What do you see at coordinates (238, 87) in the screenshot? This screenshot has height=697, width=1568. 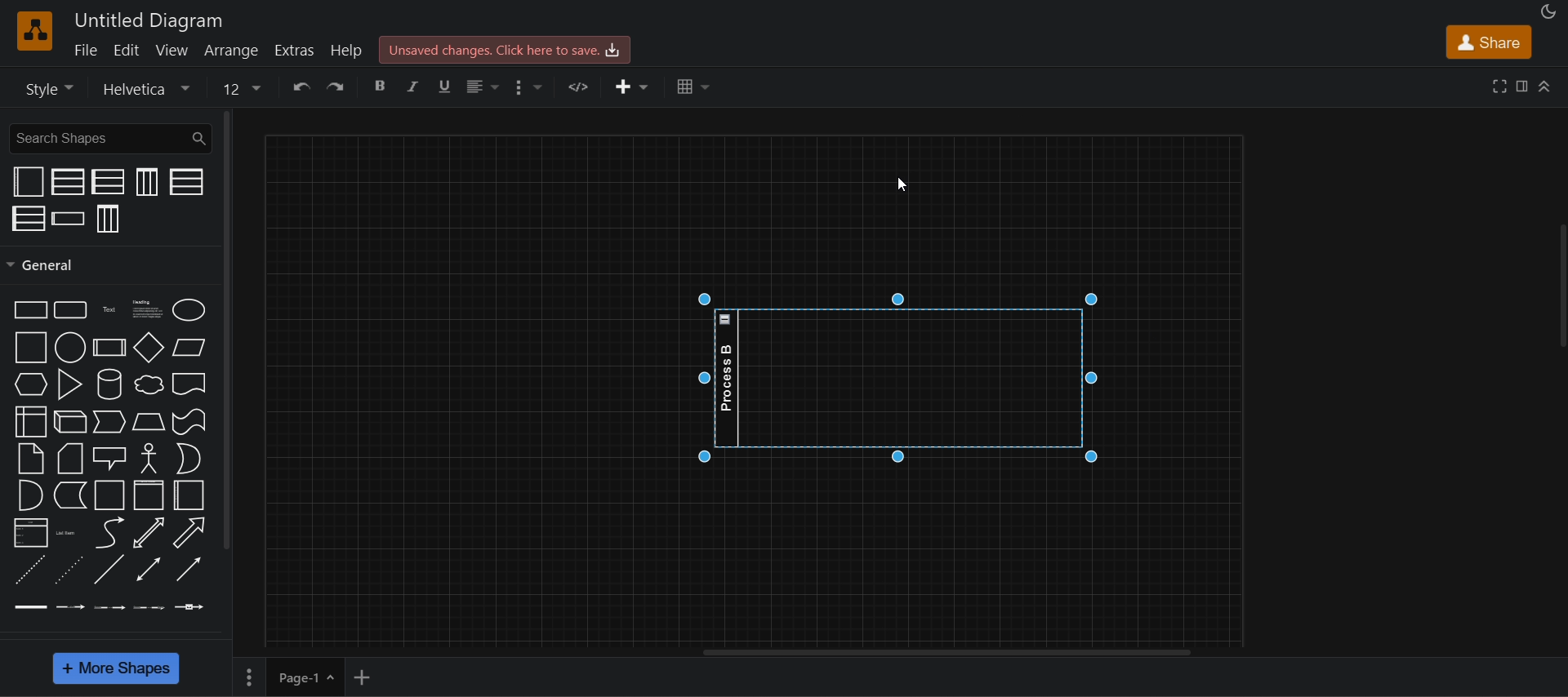 I see `12 size` at bounding box center [238, 87].